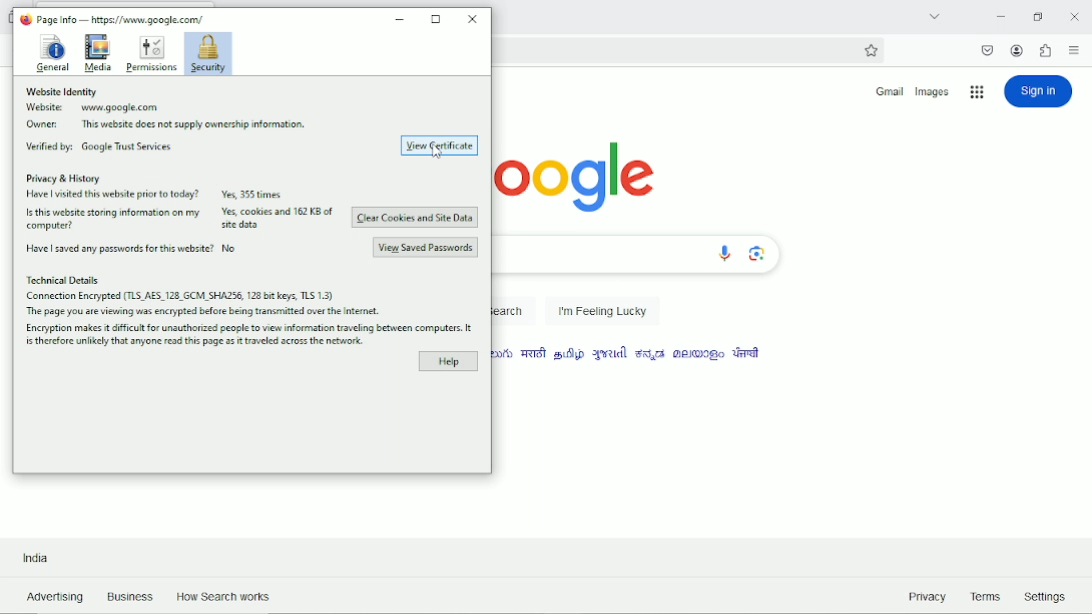 This screenshot has height=614, width=1092. Describe the element at coordinates (440, 146) in the screenshot. I see `View Certificate` at that location.